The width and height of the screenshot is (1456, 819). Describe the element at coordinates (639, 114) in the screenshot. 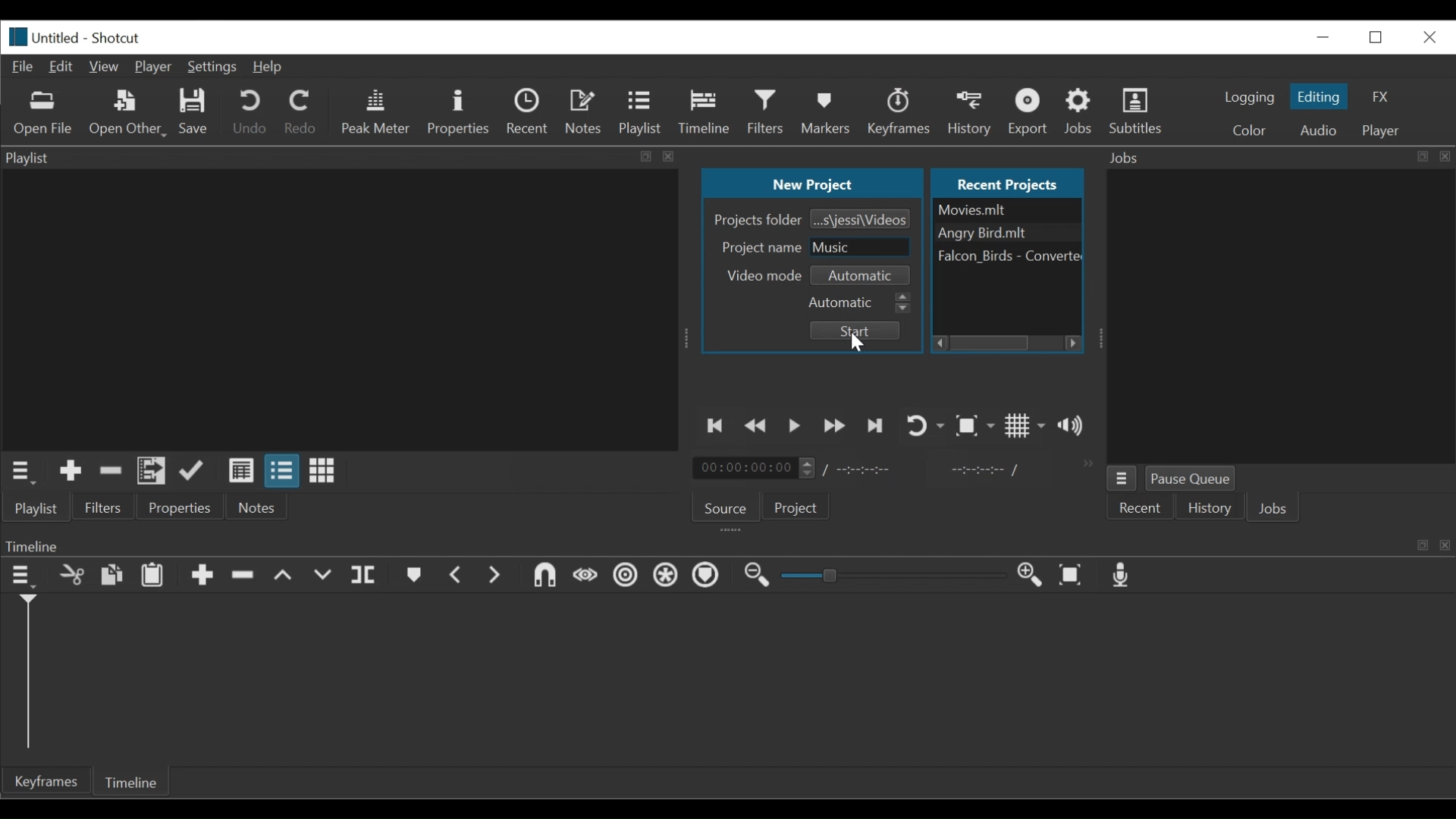

I see `Playlist` at that location.